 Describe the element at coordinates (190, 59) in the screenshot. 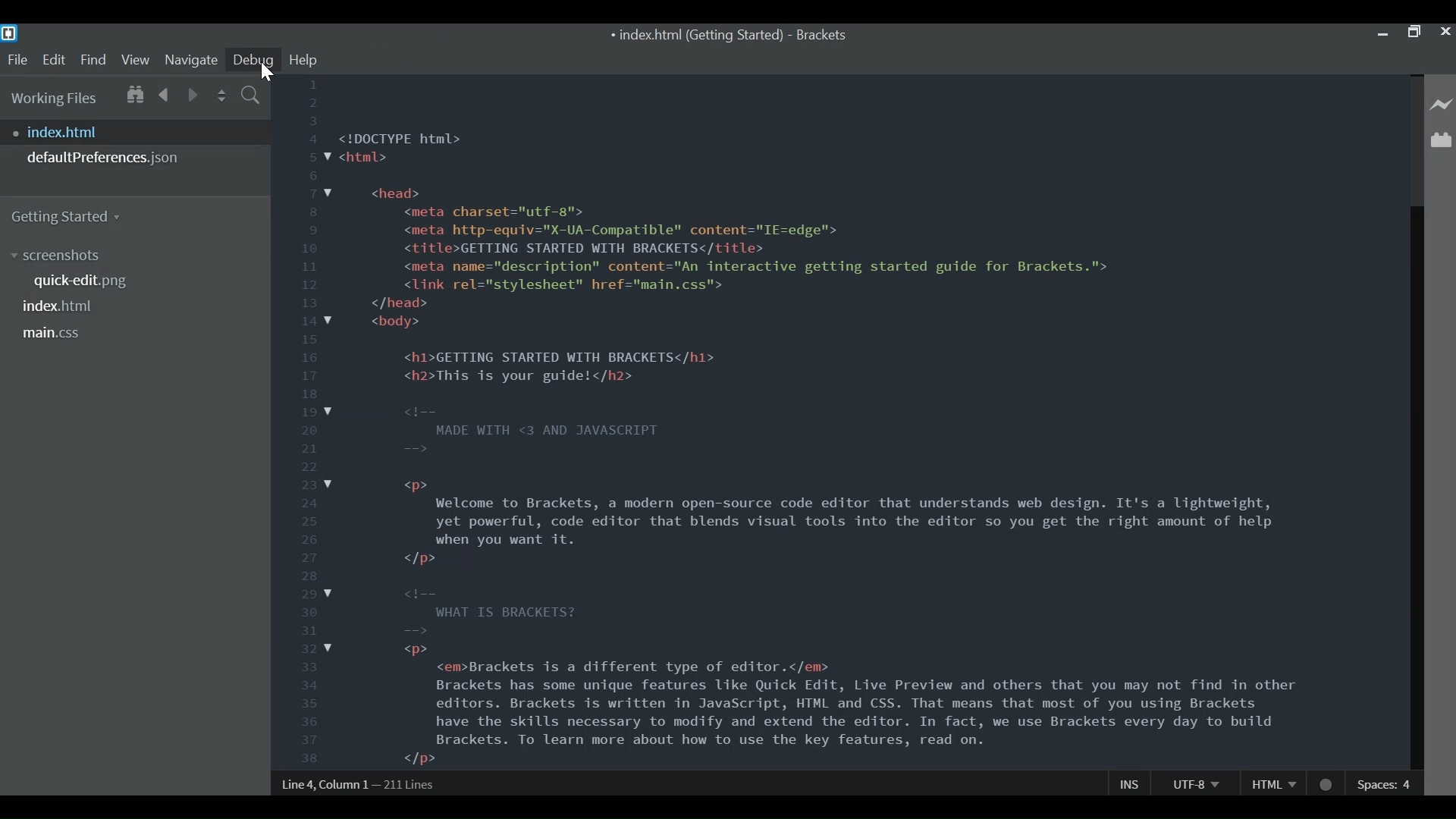

I see `Navigate` at that location.